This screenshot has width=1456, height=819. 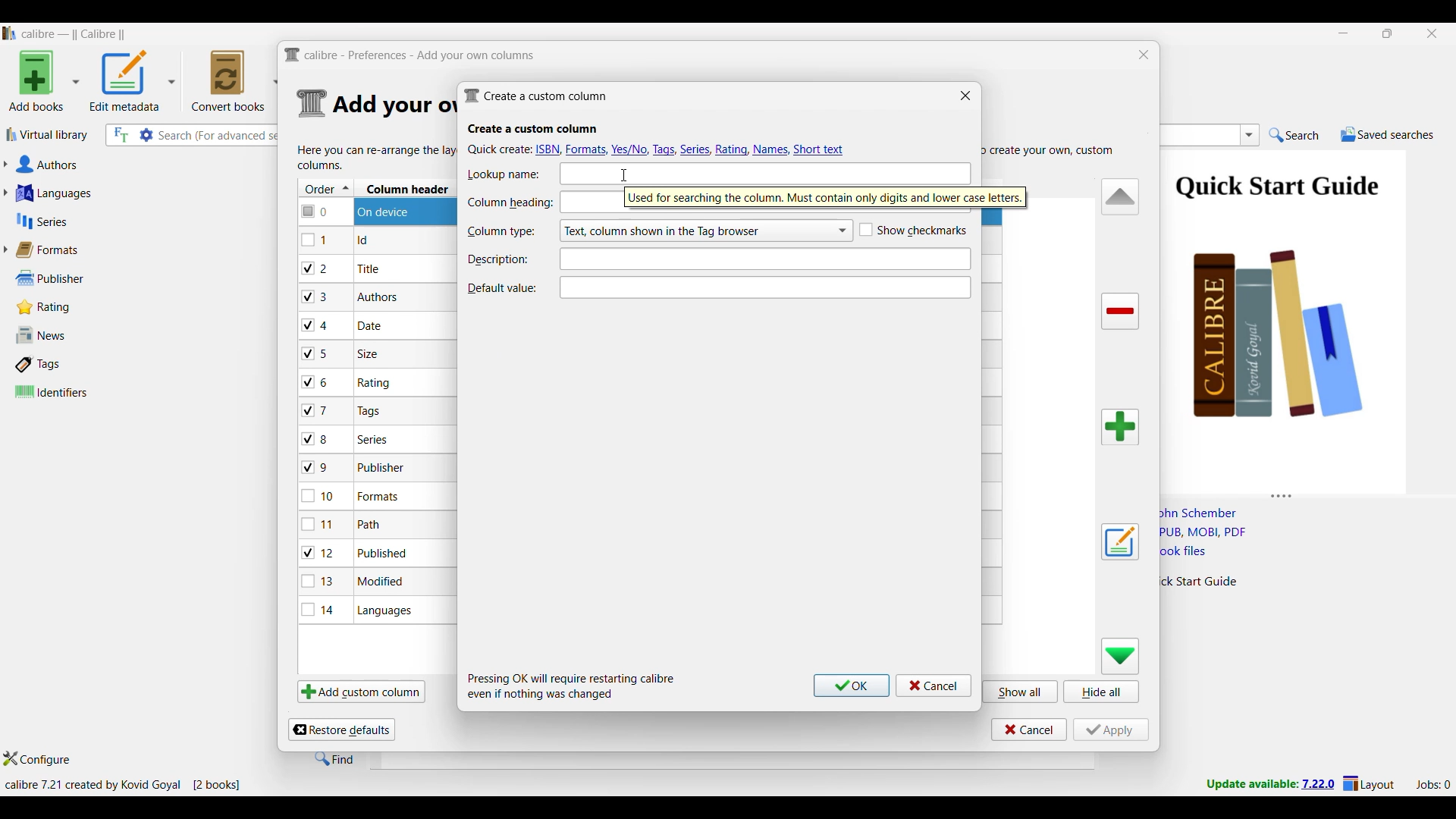 What do you see at coordinates (321, 497) in the screenshot?
I see `checkbox - 10` at bounding box center [321, 497].